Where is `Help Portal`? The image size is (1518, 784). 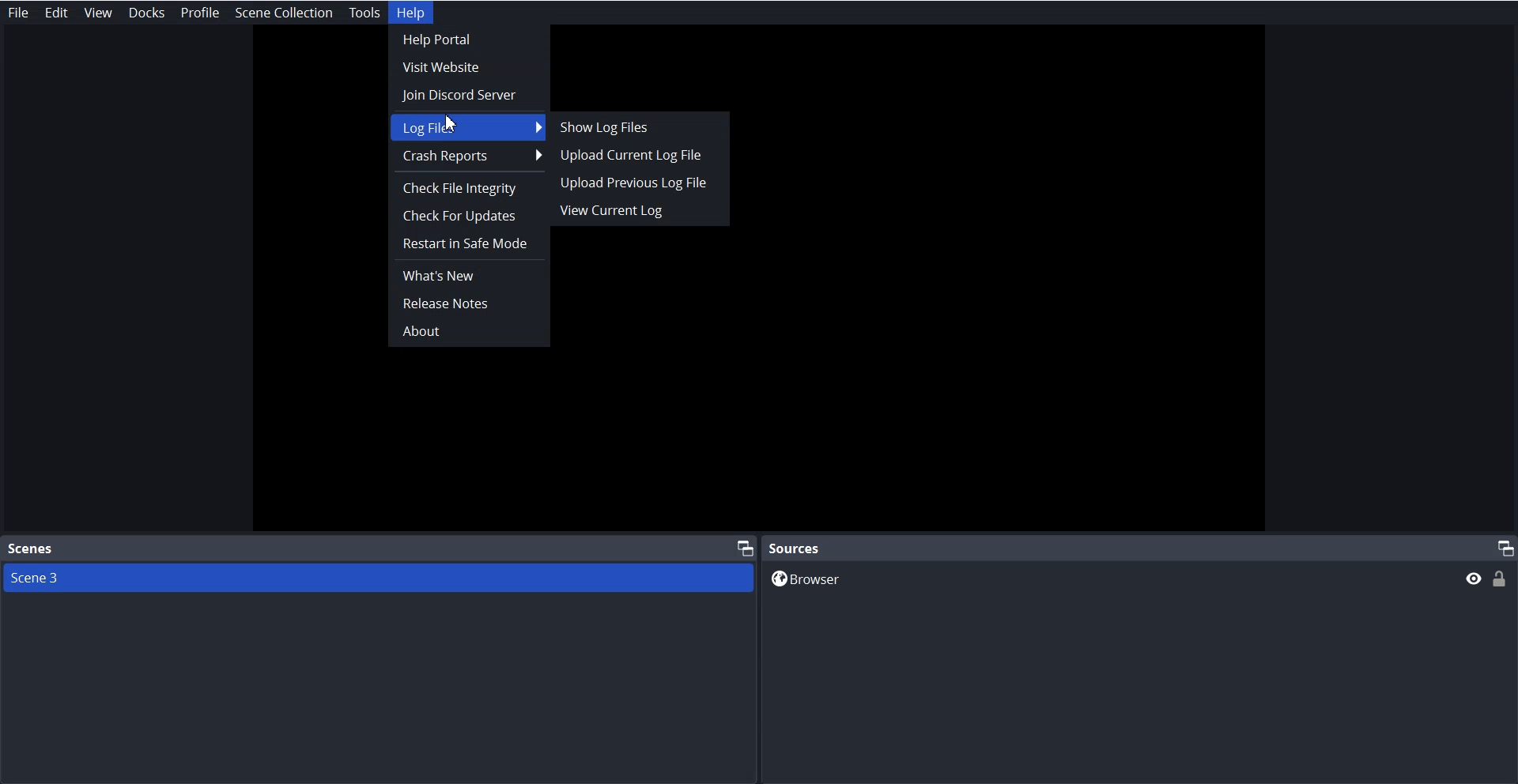 Help Portal is located at coordinates (467, 40).